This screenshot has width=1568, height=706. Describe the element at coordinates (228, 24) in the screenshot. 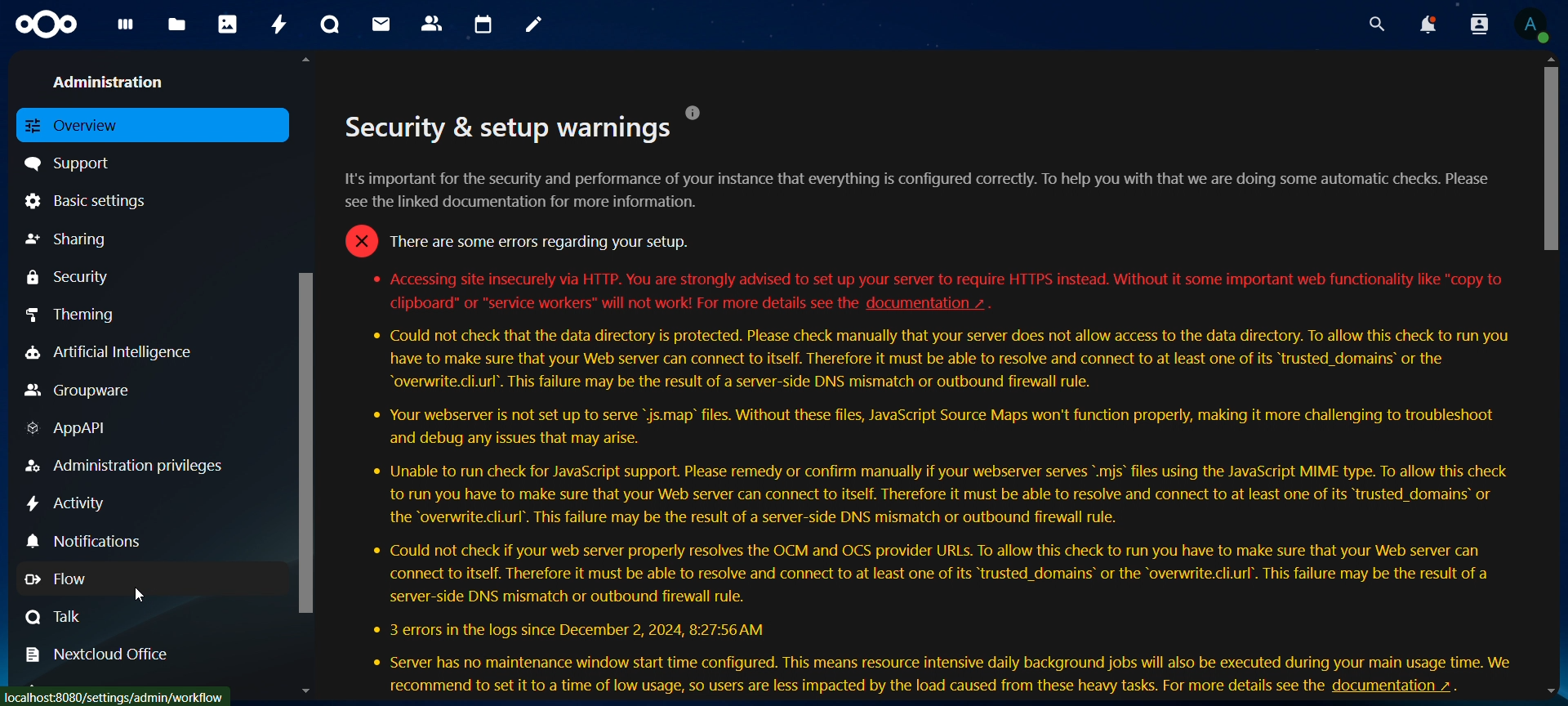

I see `photos` at that location.